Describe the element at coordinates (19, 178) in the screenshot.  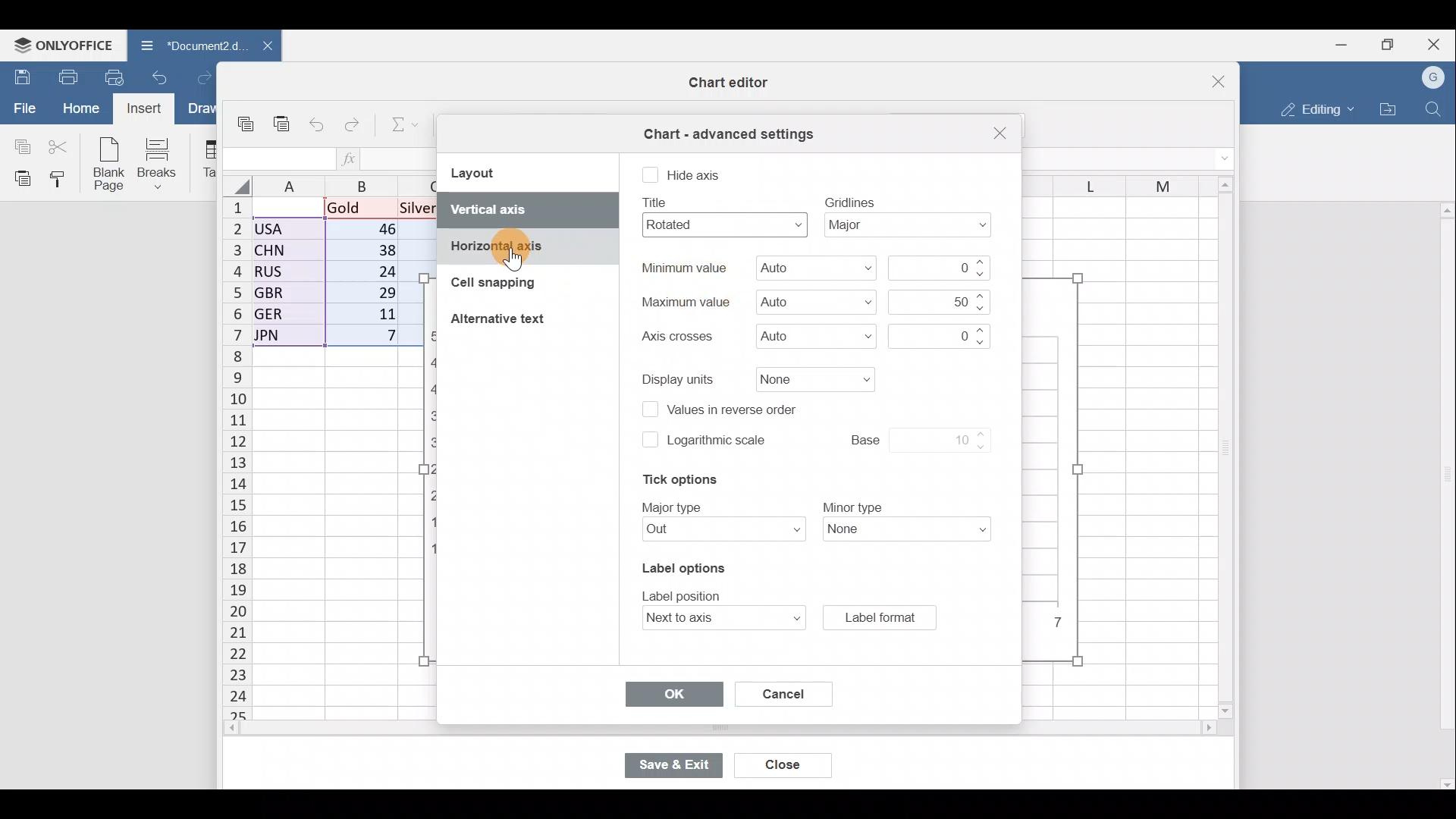
I see `Paste` at that location.